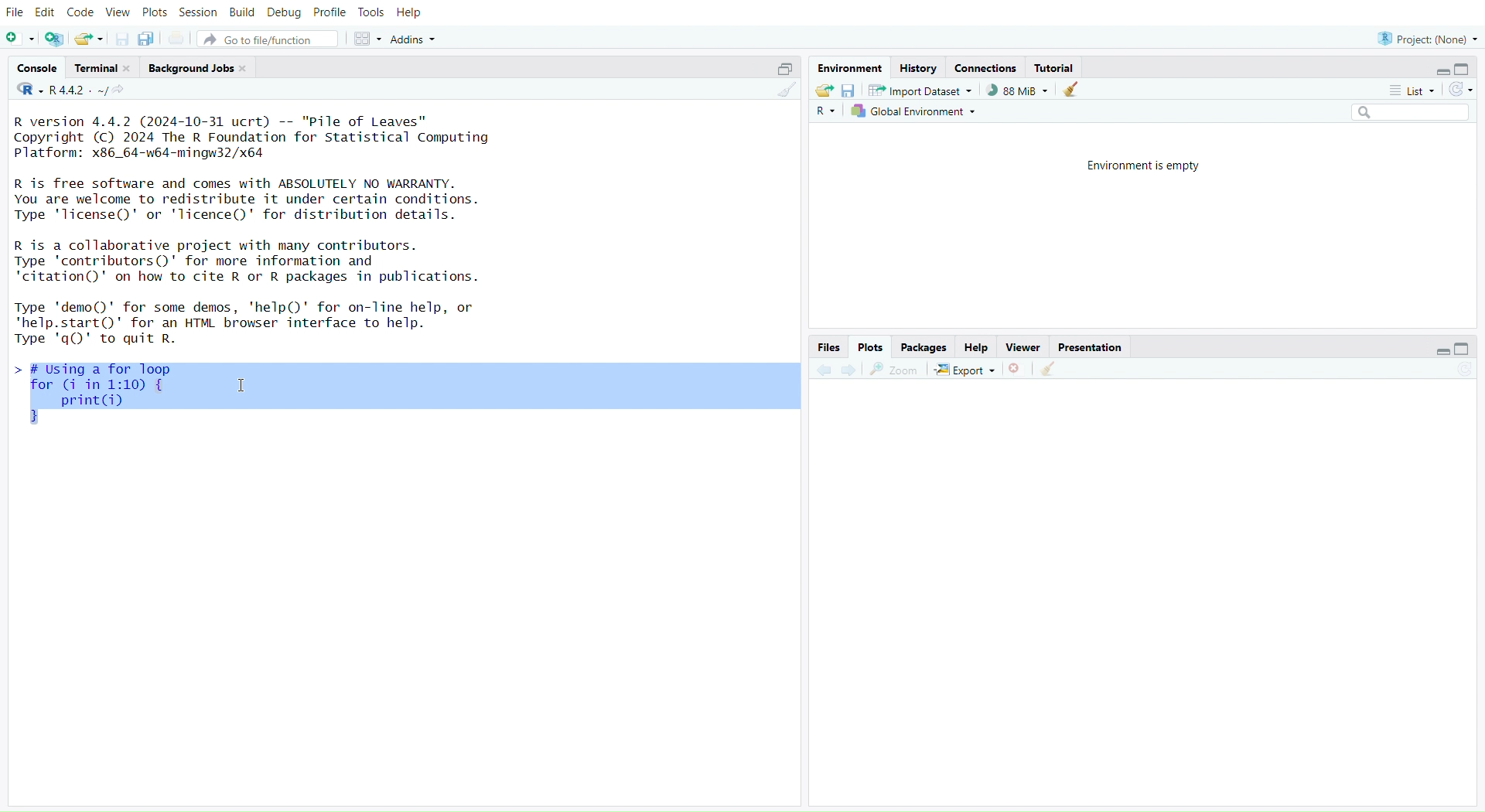  I want to click on open an existing file, so click(89, 39).